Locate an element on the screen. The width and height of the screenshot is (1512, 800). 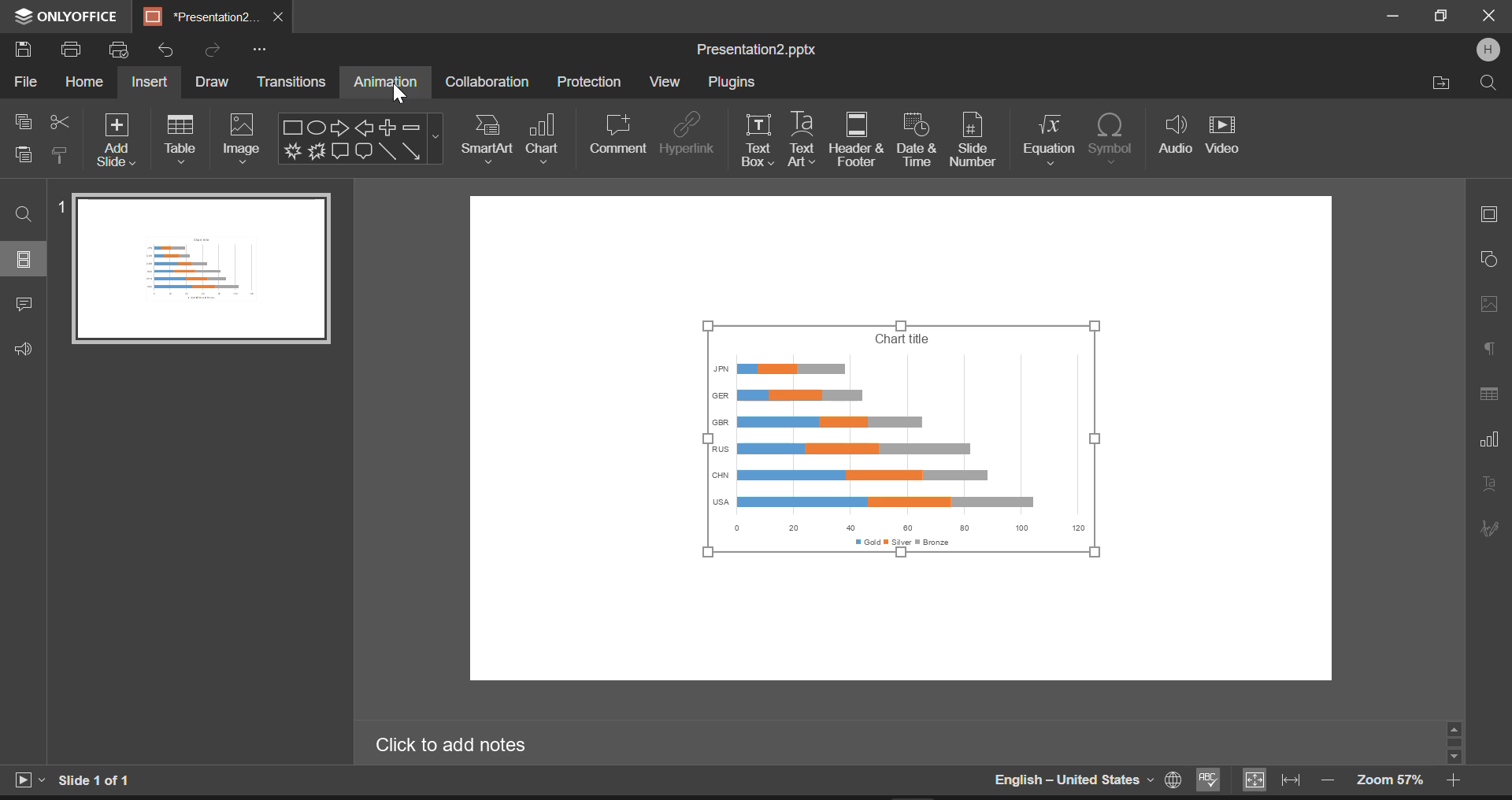
Image is located at coordinates (242, 137).